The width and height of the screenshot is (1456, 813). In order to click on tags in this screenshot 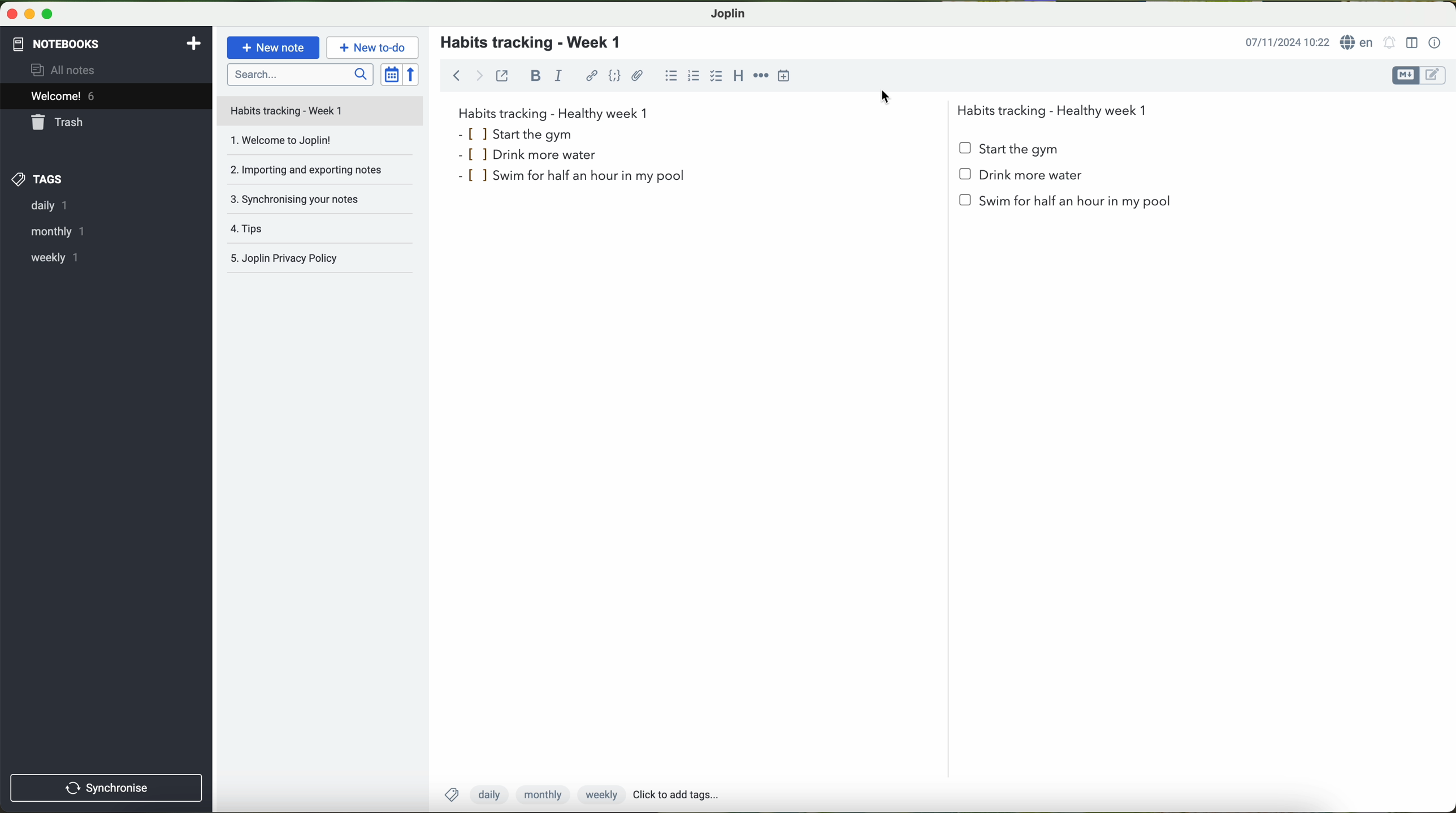, I will do `click(38, 180)`.